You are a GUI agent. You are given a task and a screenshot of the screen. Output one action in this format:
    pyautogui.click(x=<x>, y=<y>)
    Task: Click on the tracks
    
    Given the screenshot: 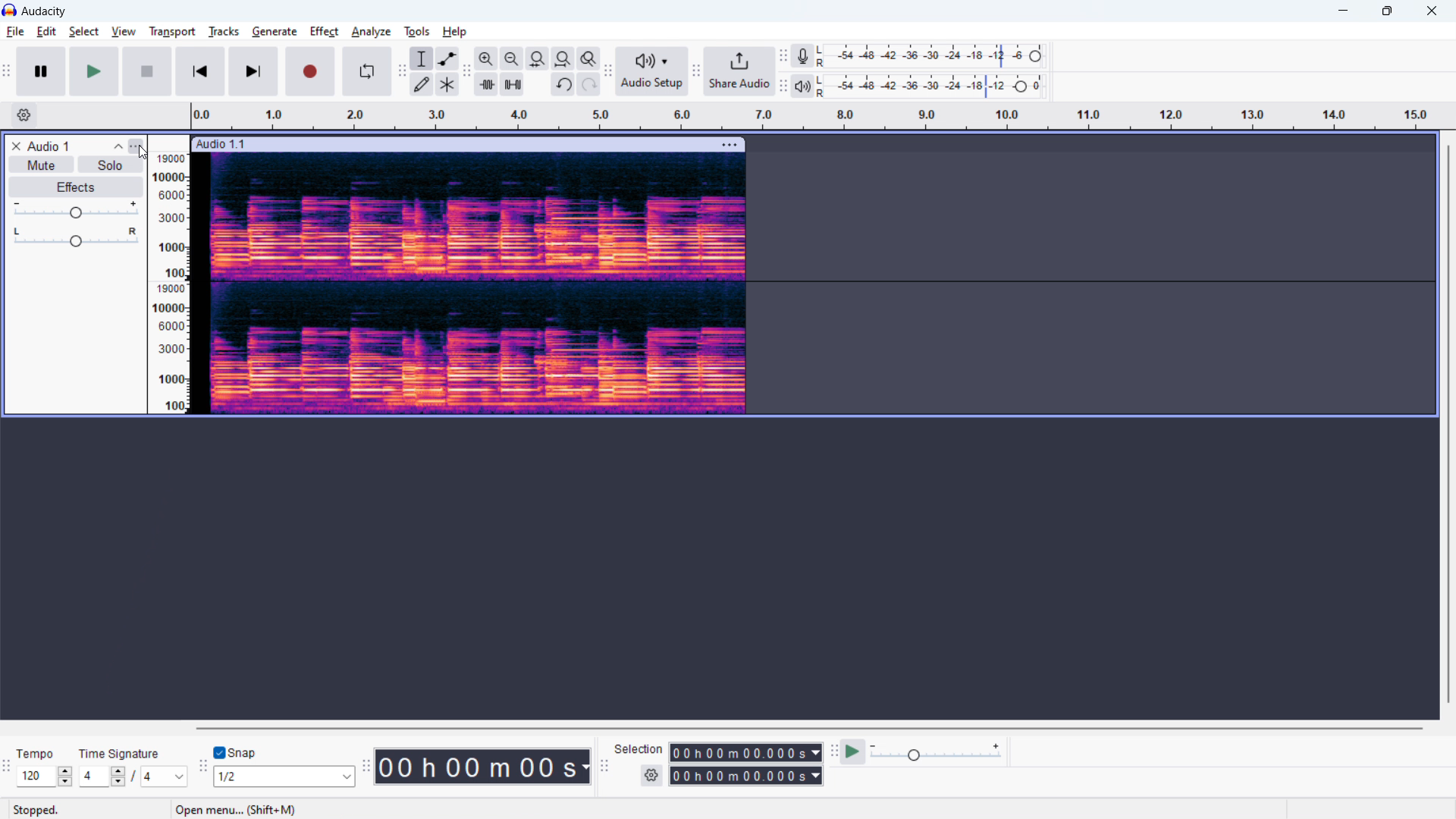 What is the action you would take?
    pyautogui.click(x=222, y=31)
    